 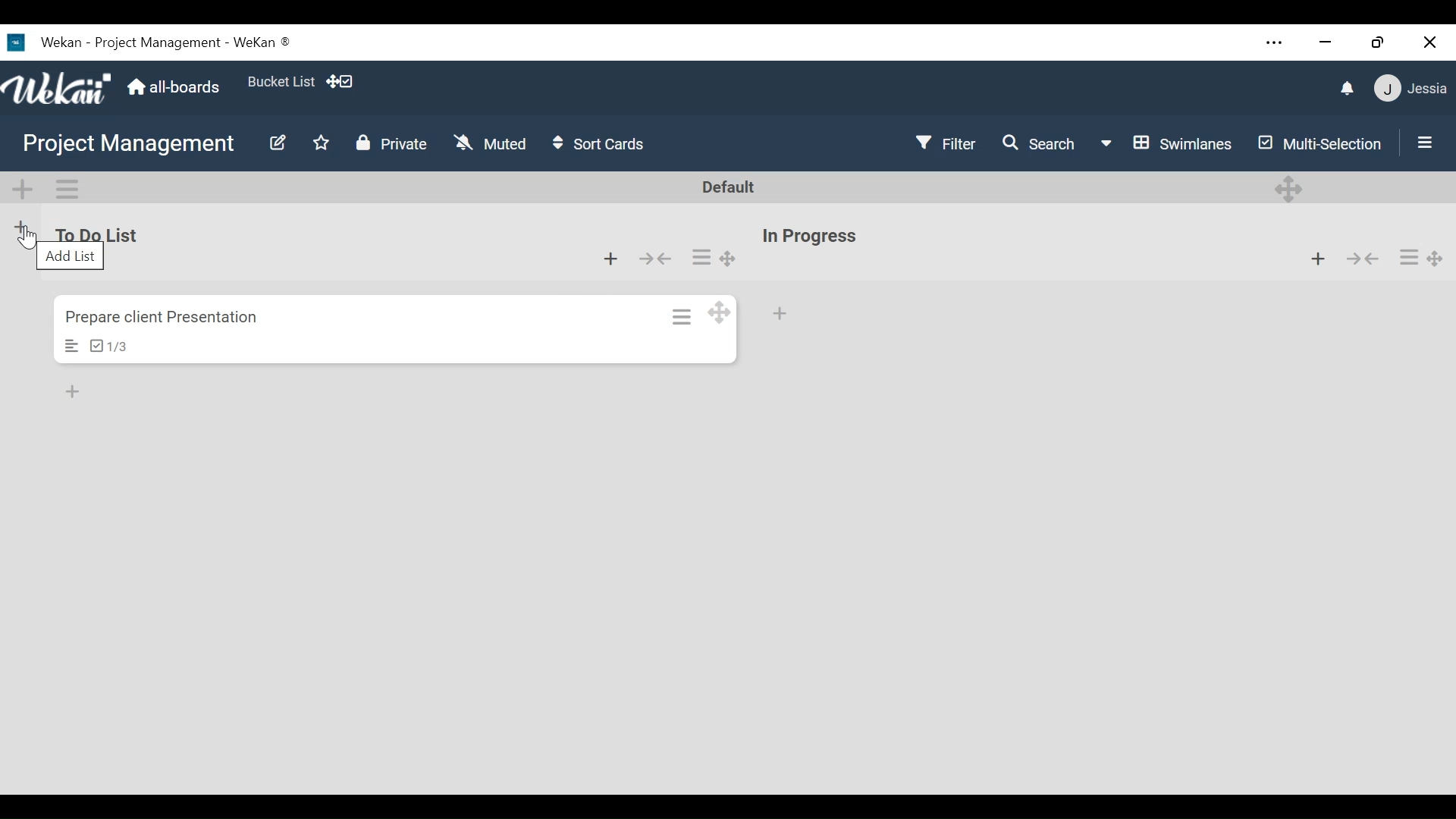 What do you see at coordinates (320, 142) in the screenshot?
I see `Toggle favorites` at bounding box center [320, 142].